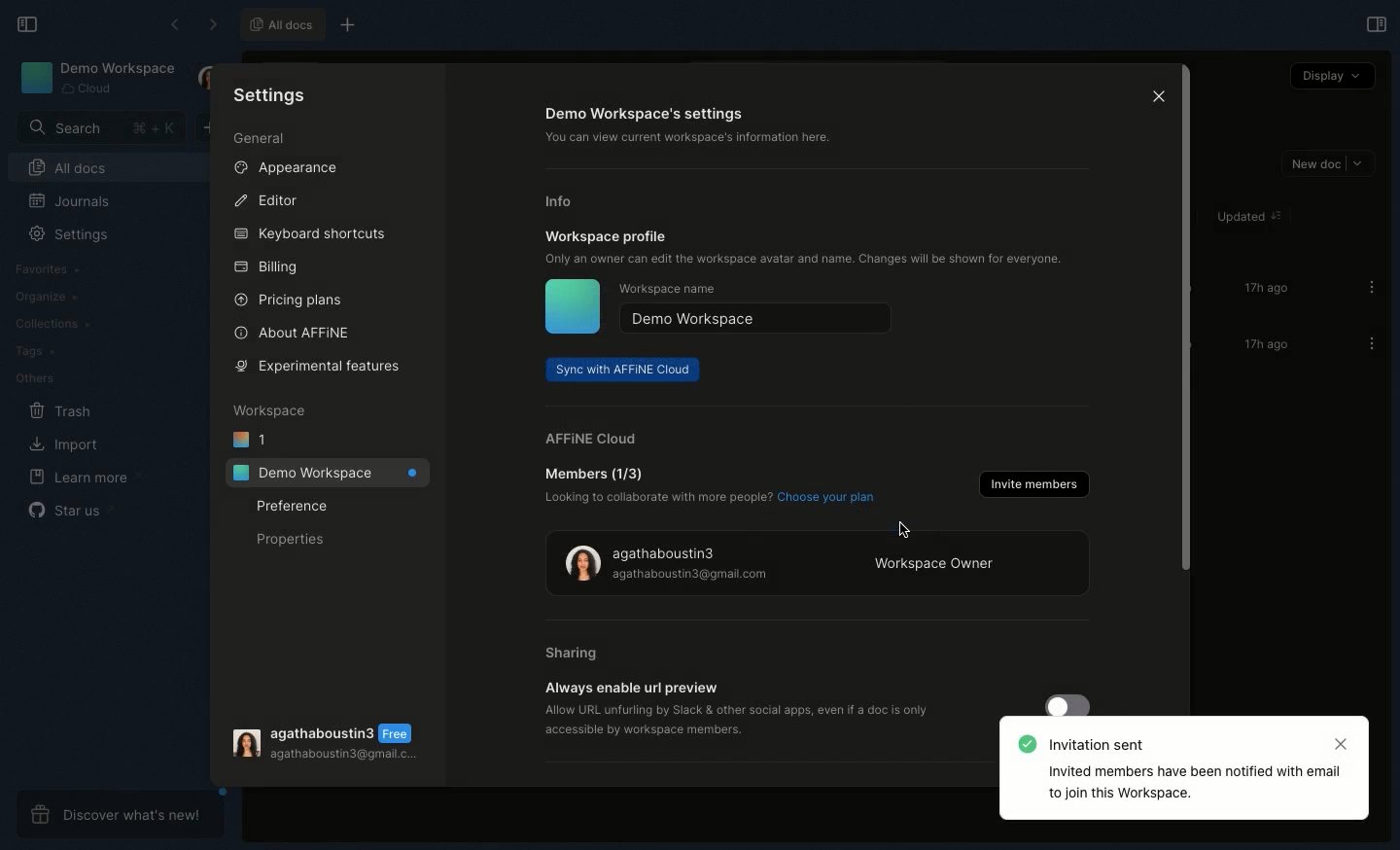  Describe the element at coordinates (118, 812) in the screenshot. I see `Discover what's new!` at that location.